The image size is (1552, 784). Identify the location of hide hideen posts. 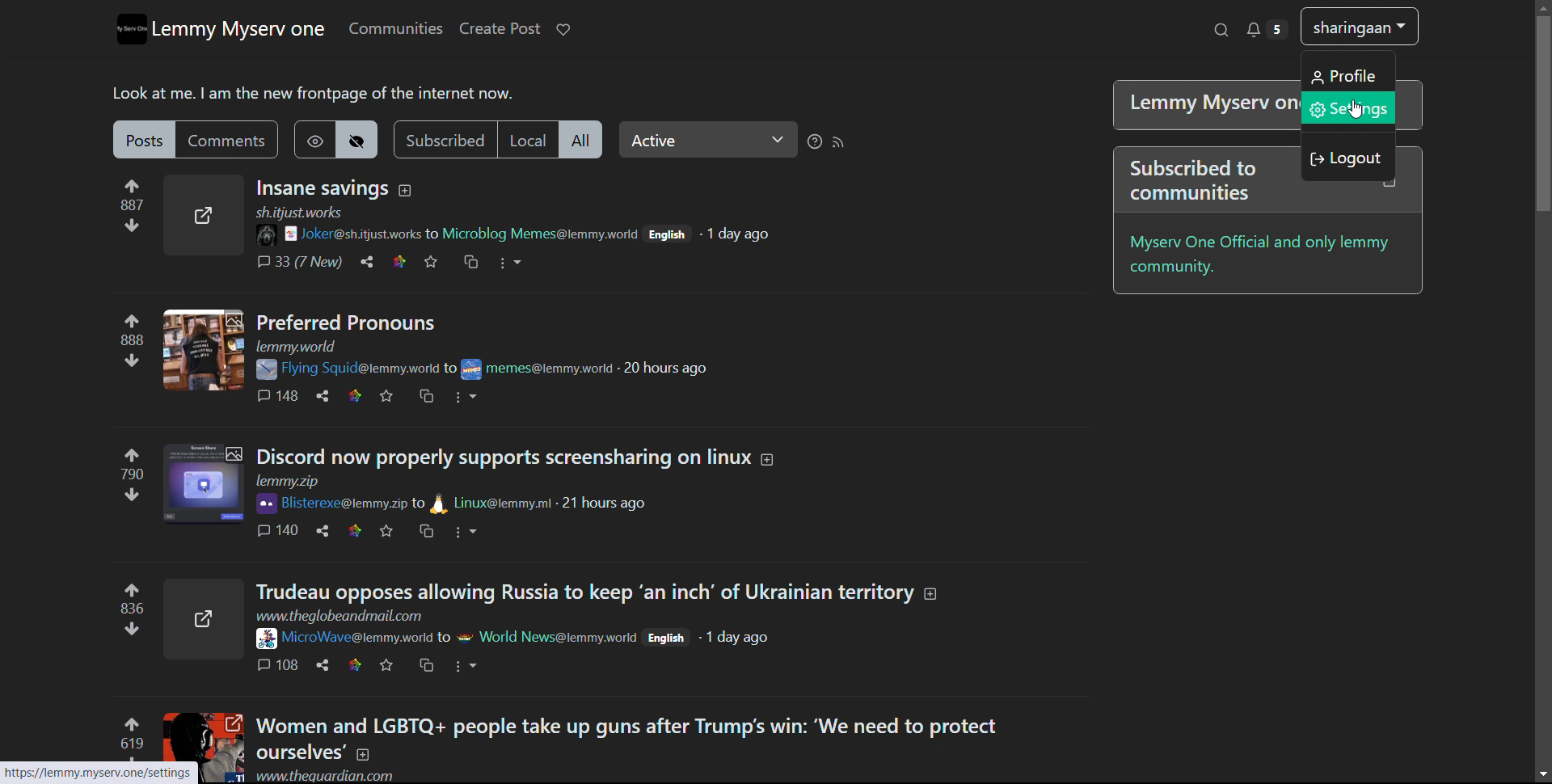
(357, 139).